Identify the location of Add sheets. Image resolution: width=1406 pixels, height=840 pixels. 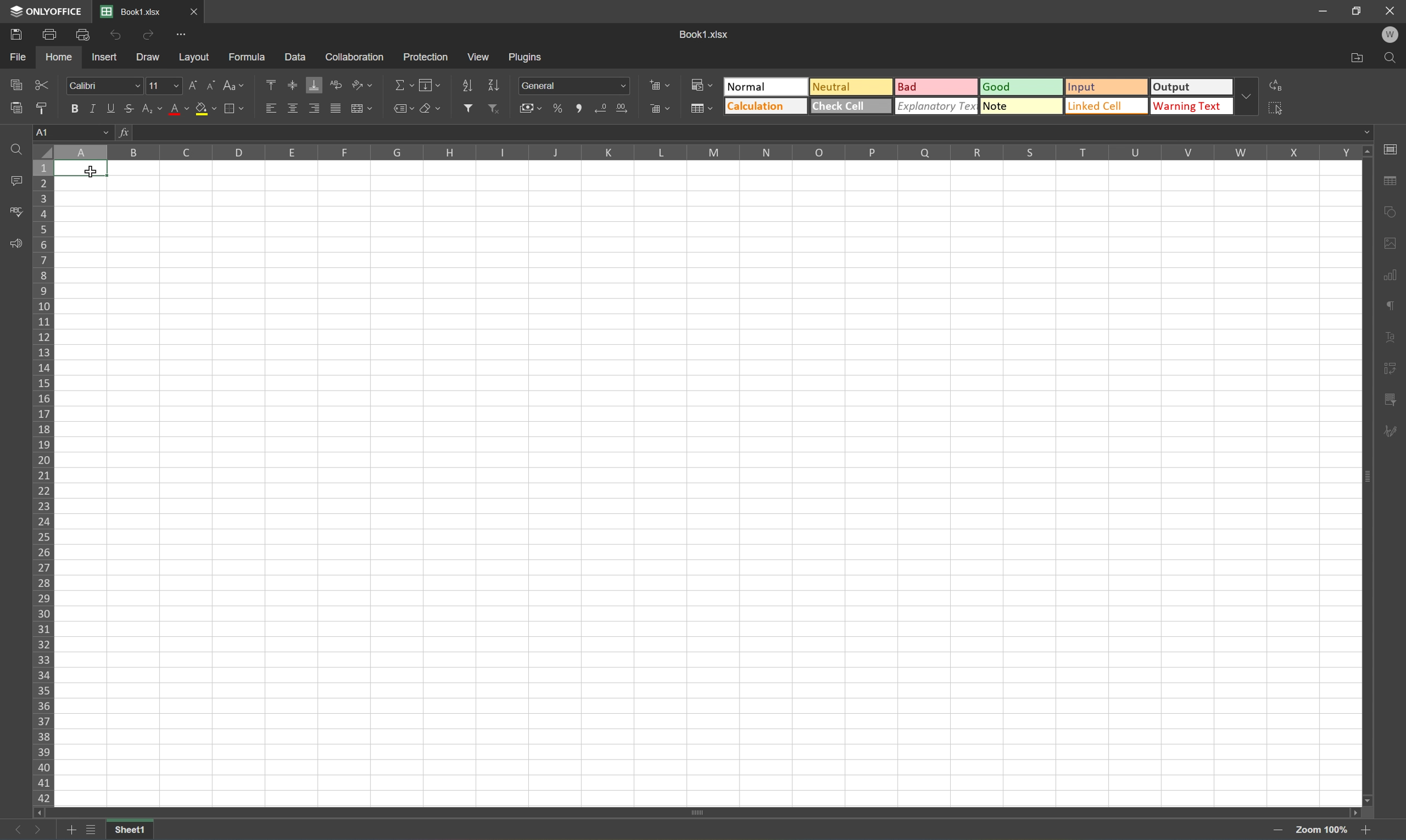
(71, 832).